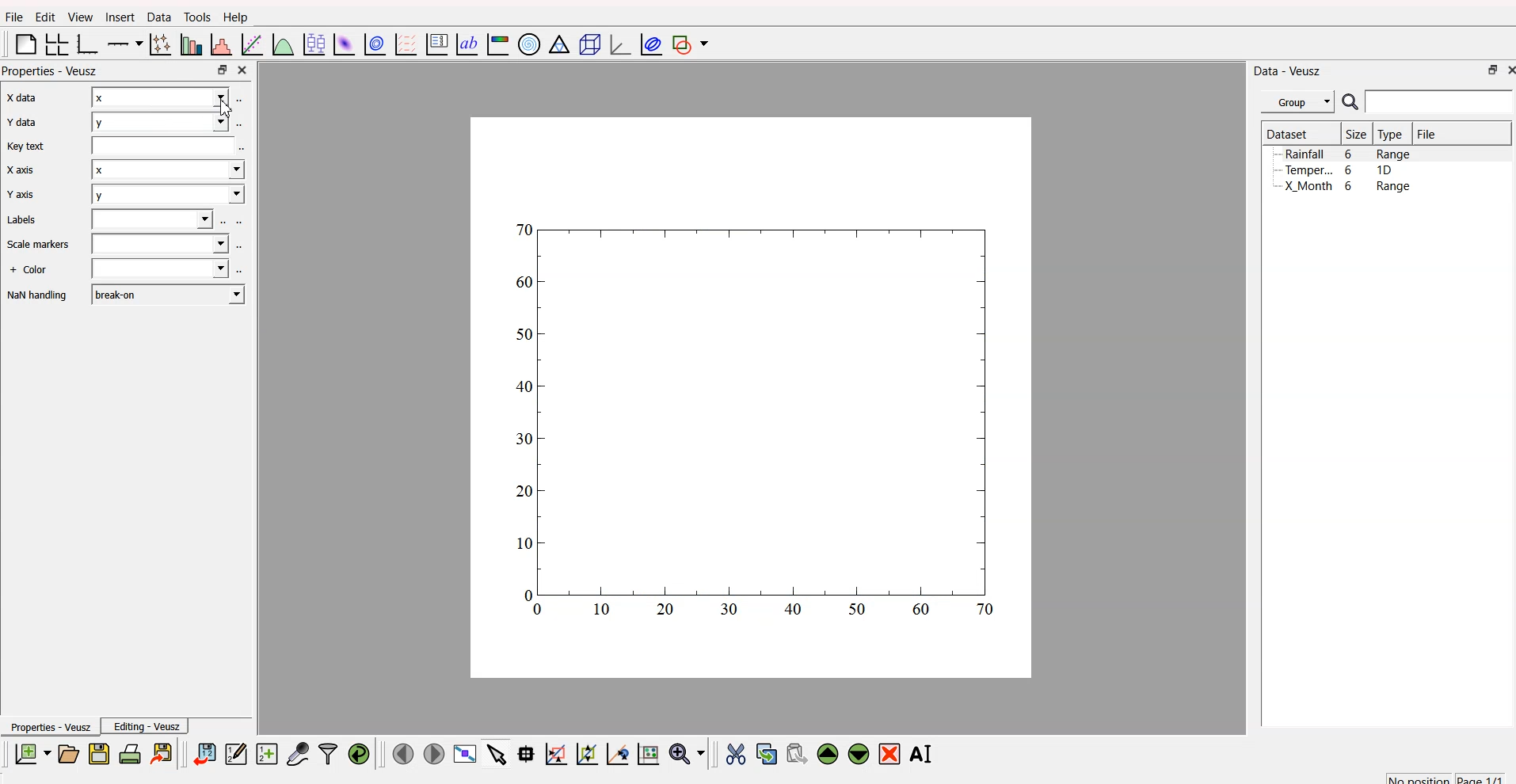 The width and height of the screenshot is (1516, 784). I want to click on Data - Veusz, so click(1289, 70).